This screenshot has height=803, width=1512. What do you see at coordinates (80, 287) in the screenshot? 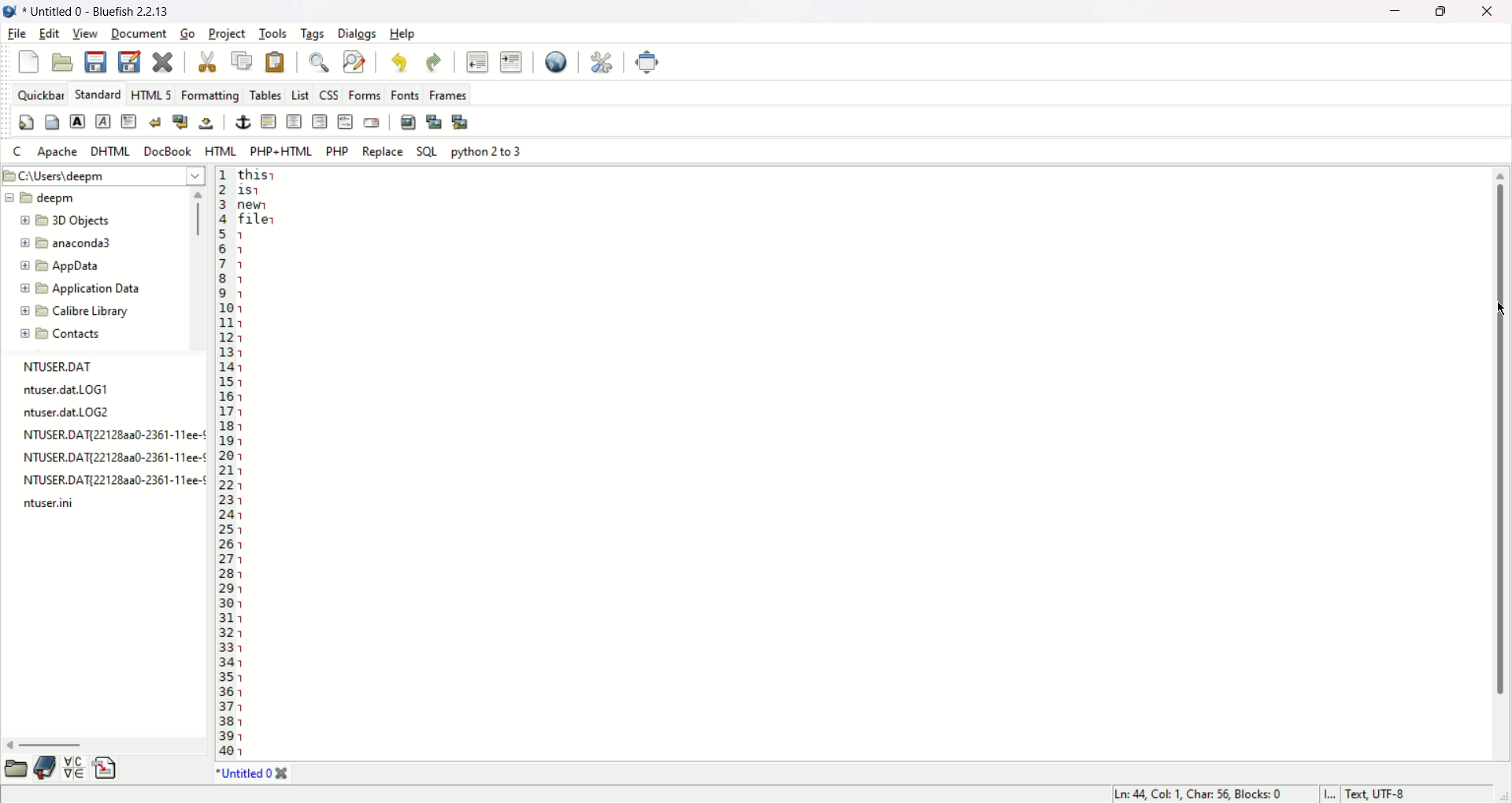
I see `Folder name` at bounding box center [80, 287].